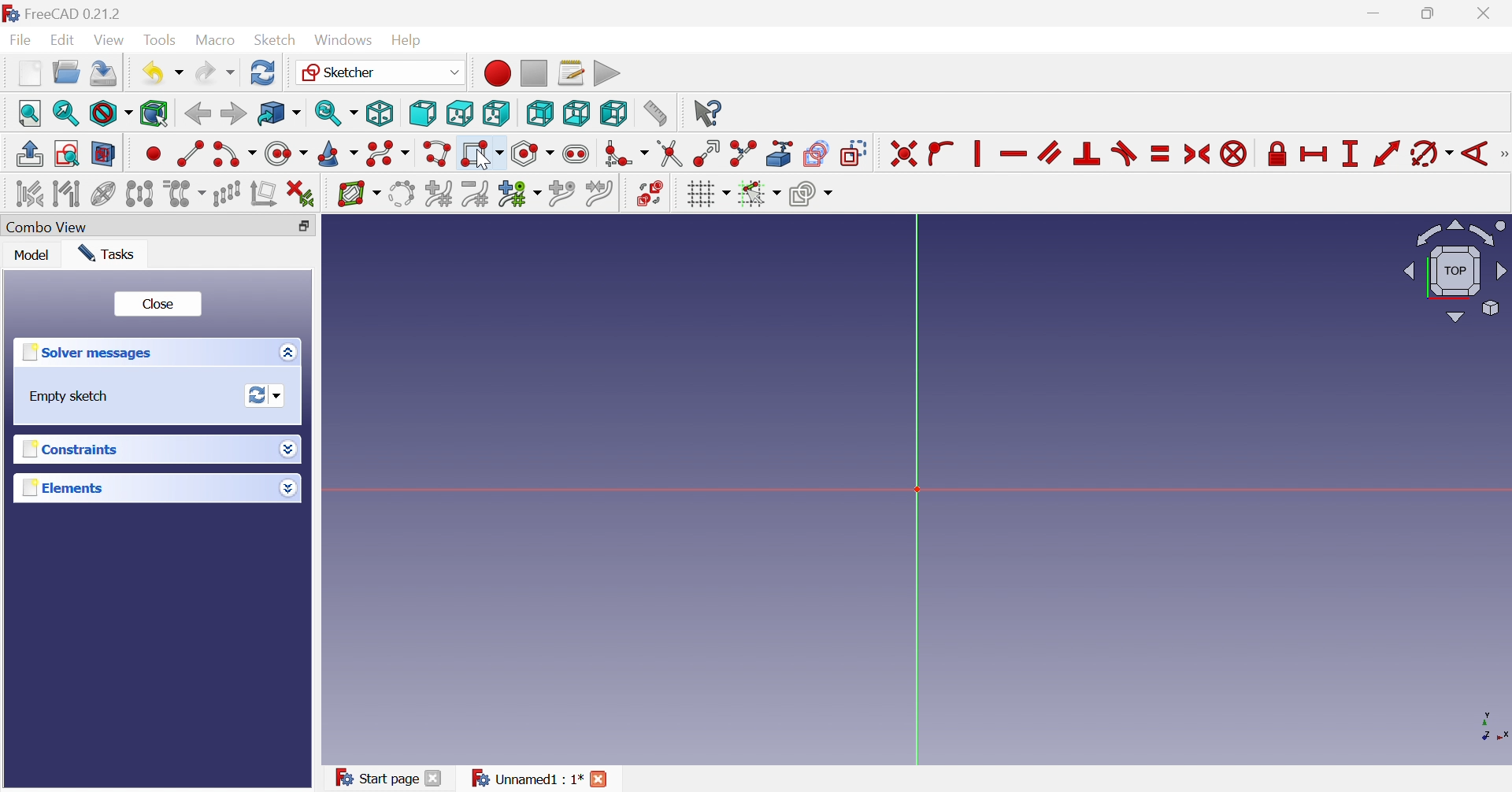  Describe the element at coordinates (263, 72) in the screenshot. I see `Refresh` at that location.